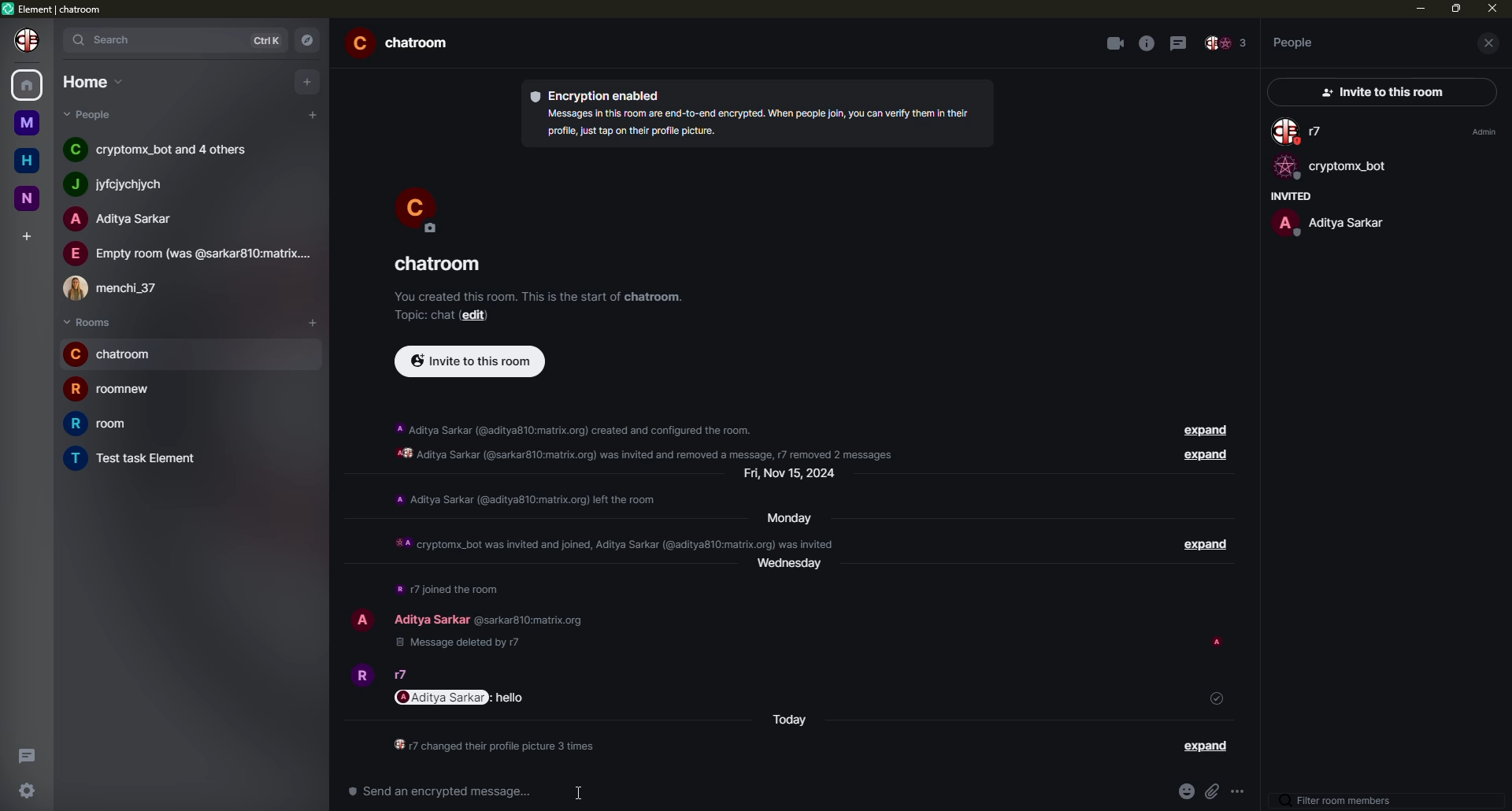  I want to click on seen, so click(1220, 643).